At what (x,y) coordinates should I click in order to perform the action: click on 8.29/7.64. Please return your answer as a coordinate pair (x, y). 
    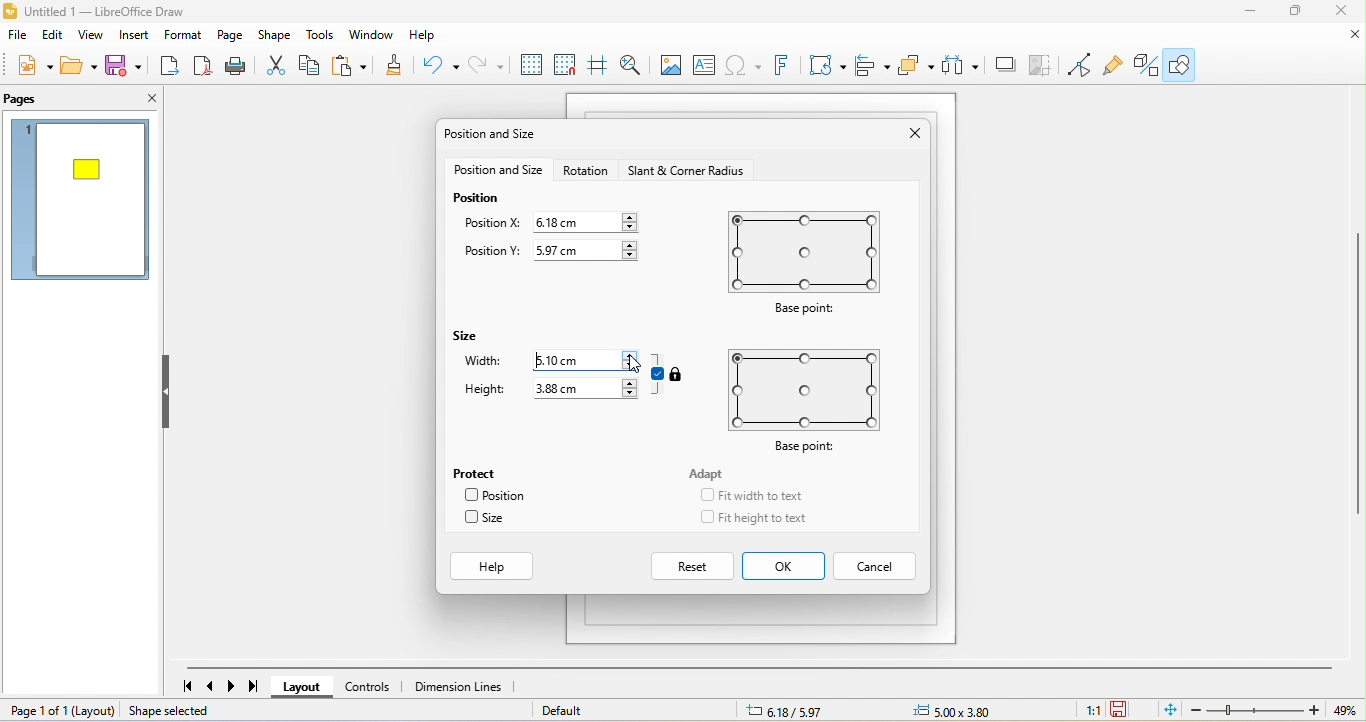
    Looking at the image, I should click on (816, 710).